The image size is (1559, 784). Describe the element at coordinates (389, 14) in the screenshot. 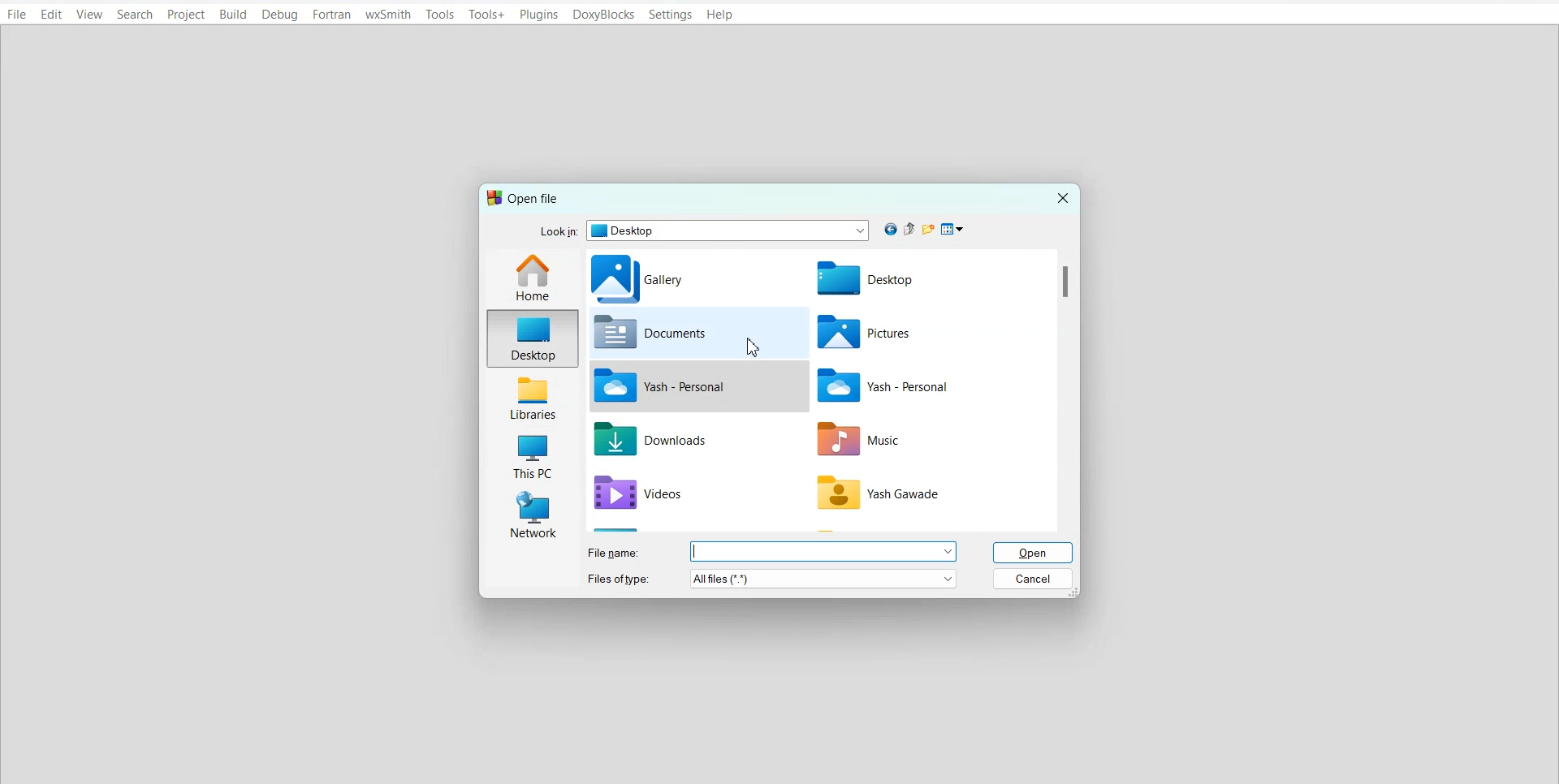

I see `wxSmith` at that location.